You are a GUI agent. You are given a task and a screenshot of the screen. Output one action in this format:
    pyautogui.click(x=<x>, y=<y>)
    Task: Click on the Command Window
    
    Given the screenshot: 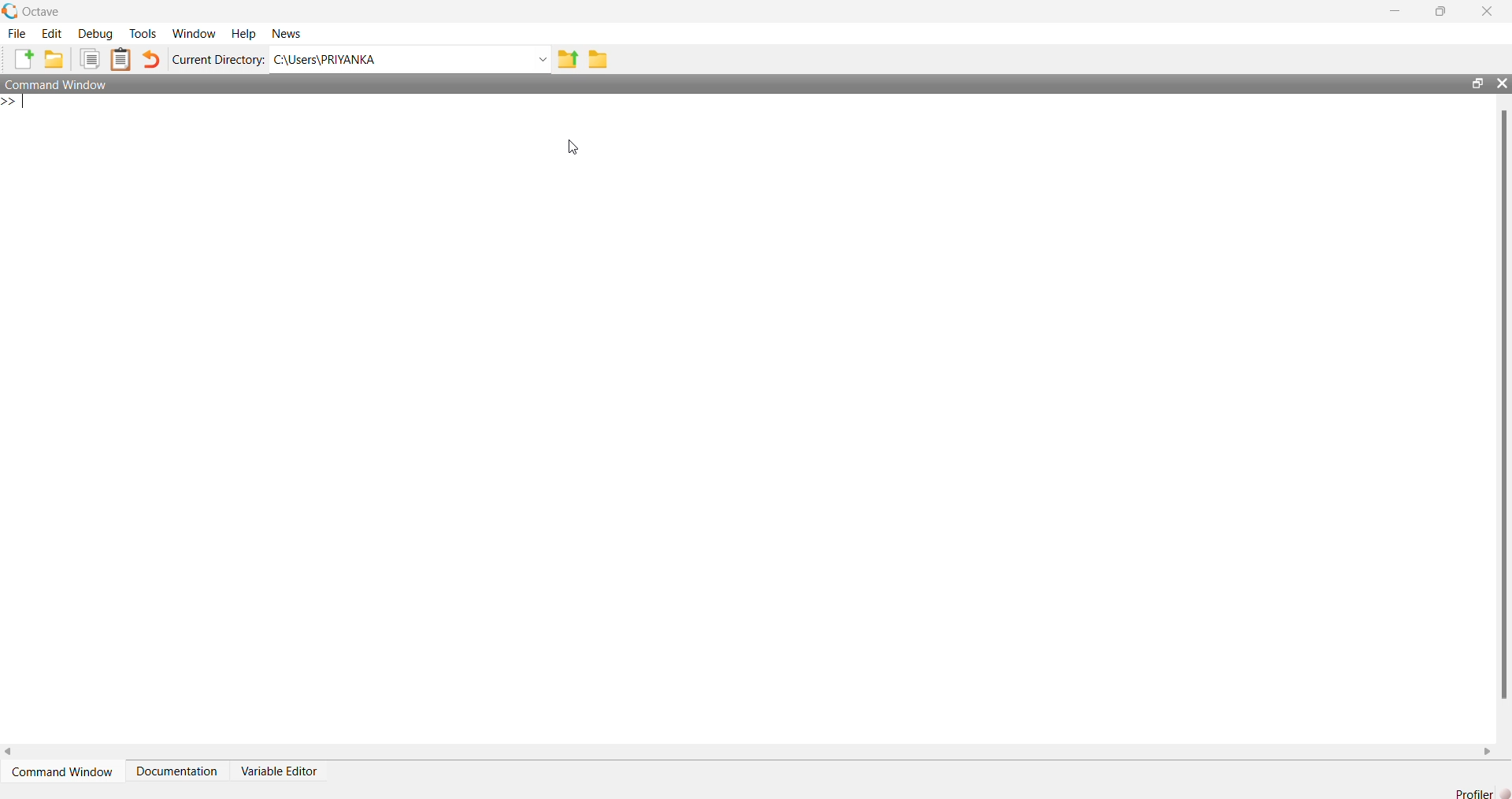 What is the action you would take?
    pyautogui.click(x=64, y=771)
    